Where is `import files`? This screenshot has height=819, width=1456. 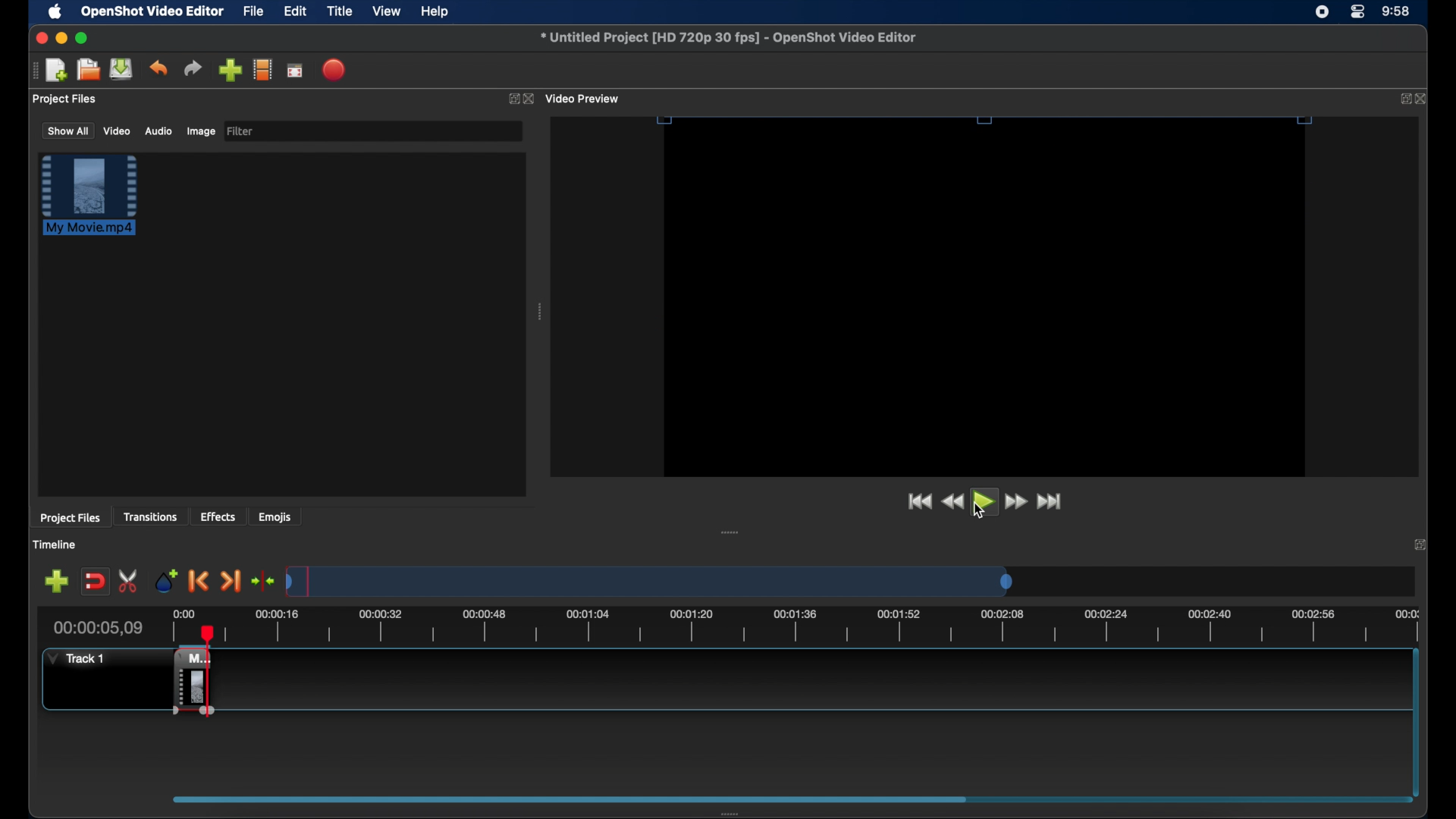 import files is located at coordinates (230, 71).